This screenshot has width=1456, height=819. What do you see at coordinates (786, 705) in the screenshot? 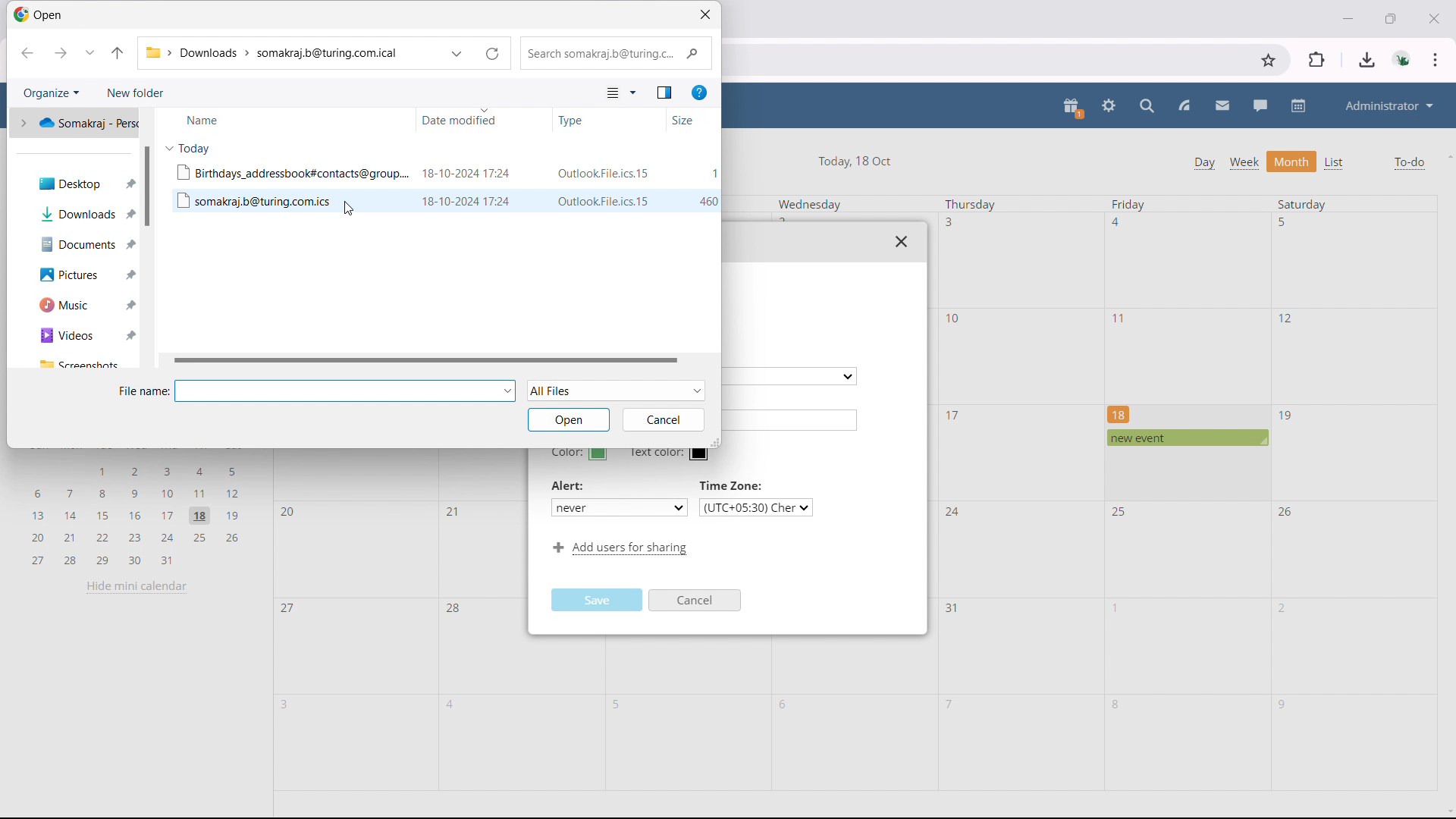
I see `6` at bounding box center [786, 705].